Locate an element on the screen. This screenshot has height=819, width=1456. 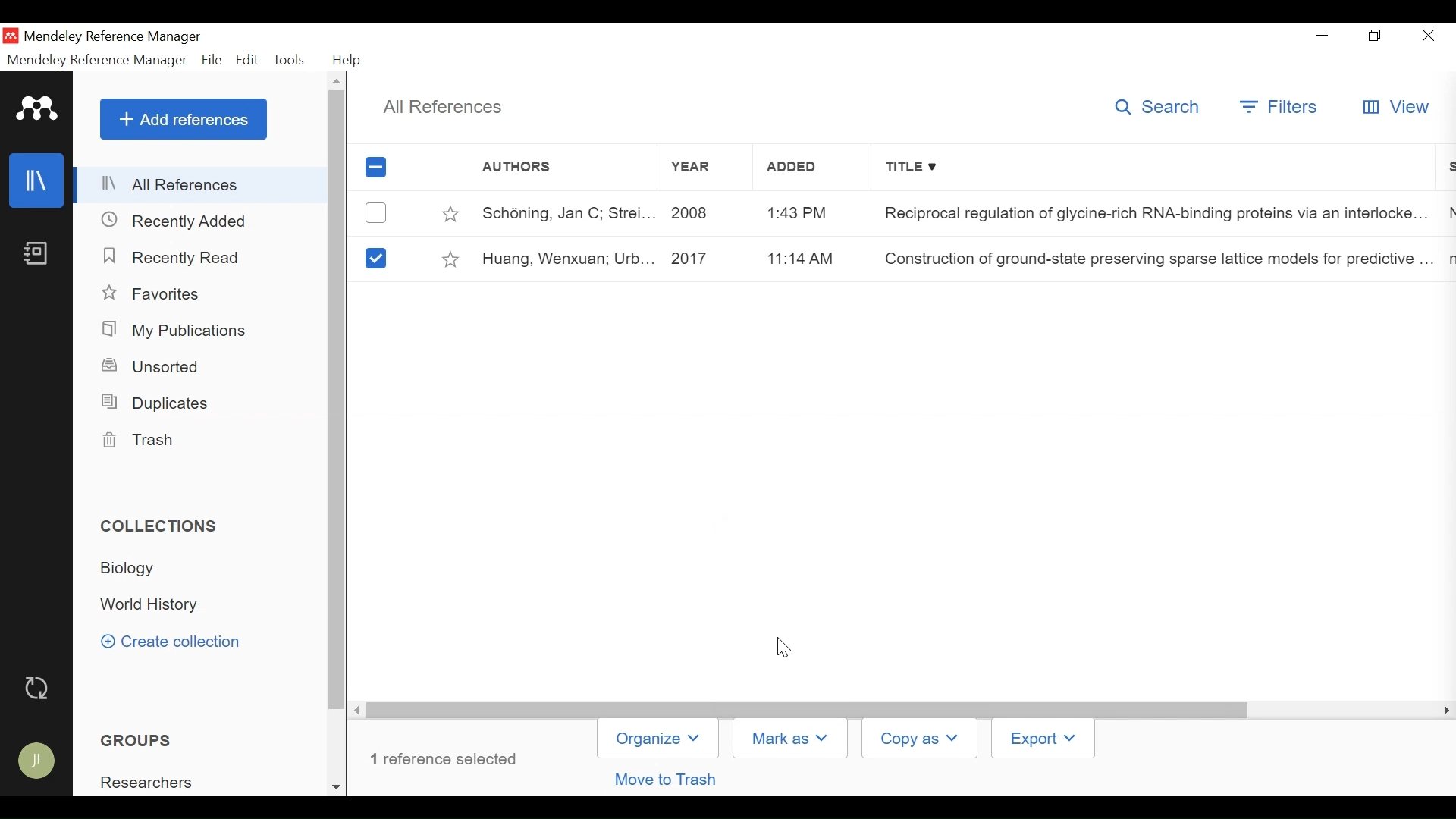
Notebook is located at coordinates (38, 256).